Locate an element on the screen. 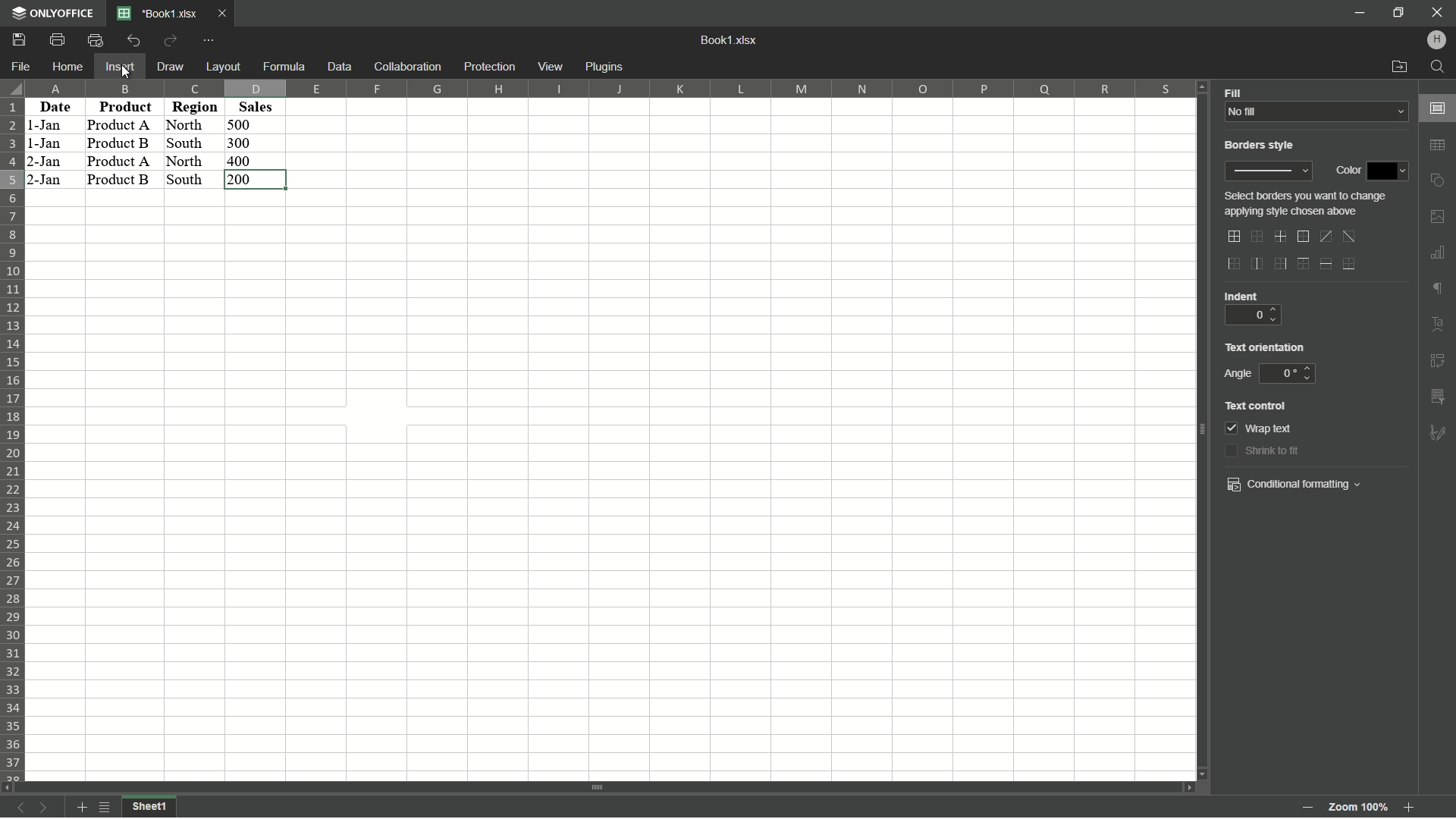 This screenshot has height=819, width=1456. bottom line is located at coordinates (1349, 264).